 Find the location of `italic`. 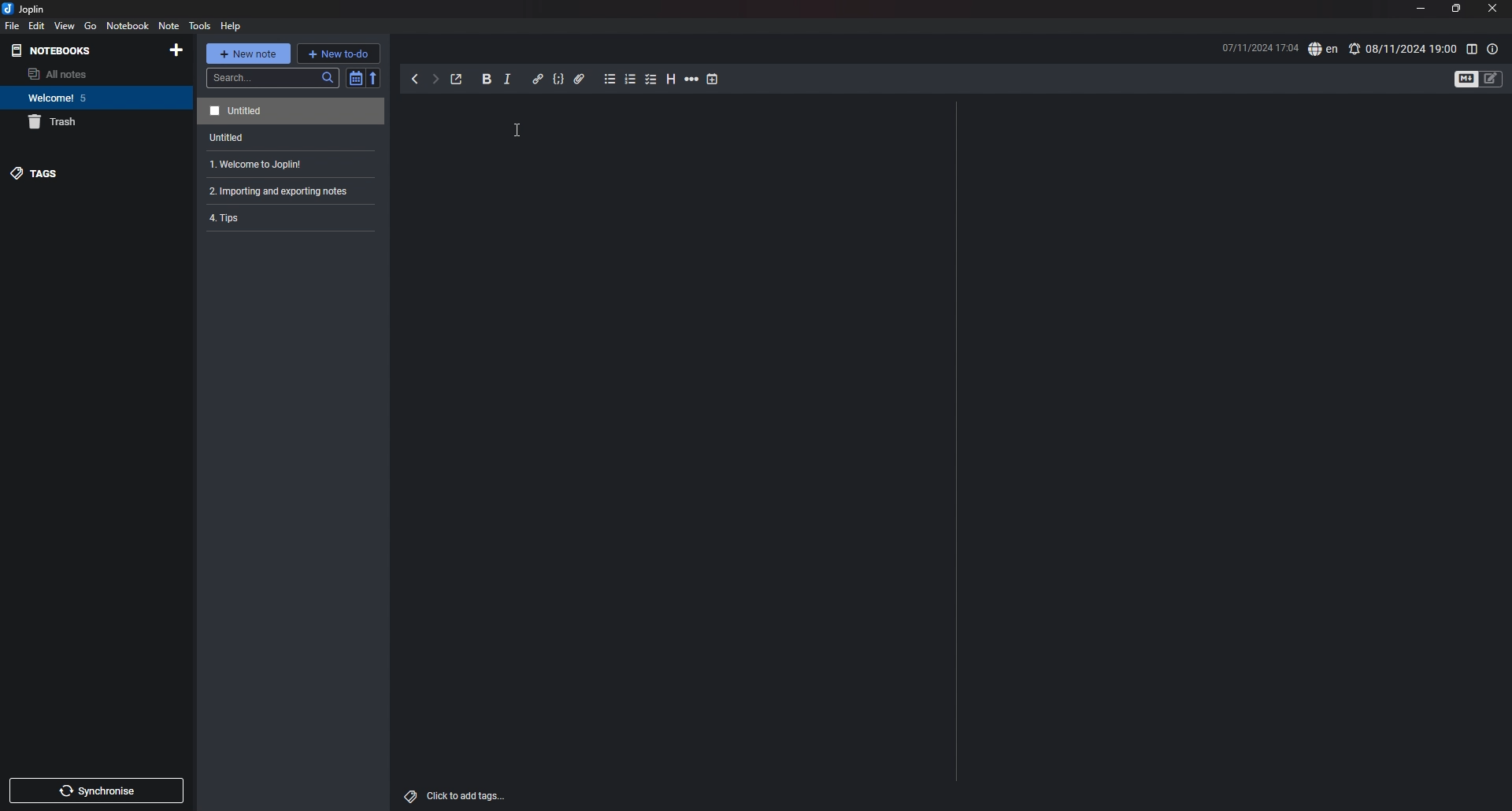

italic is located at coordinates (508, 80).